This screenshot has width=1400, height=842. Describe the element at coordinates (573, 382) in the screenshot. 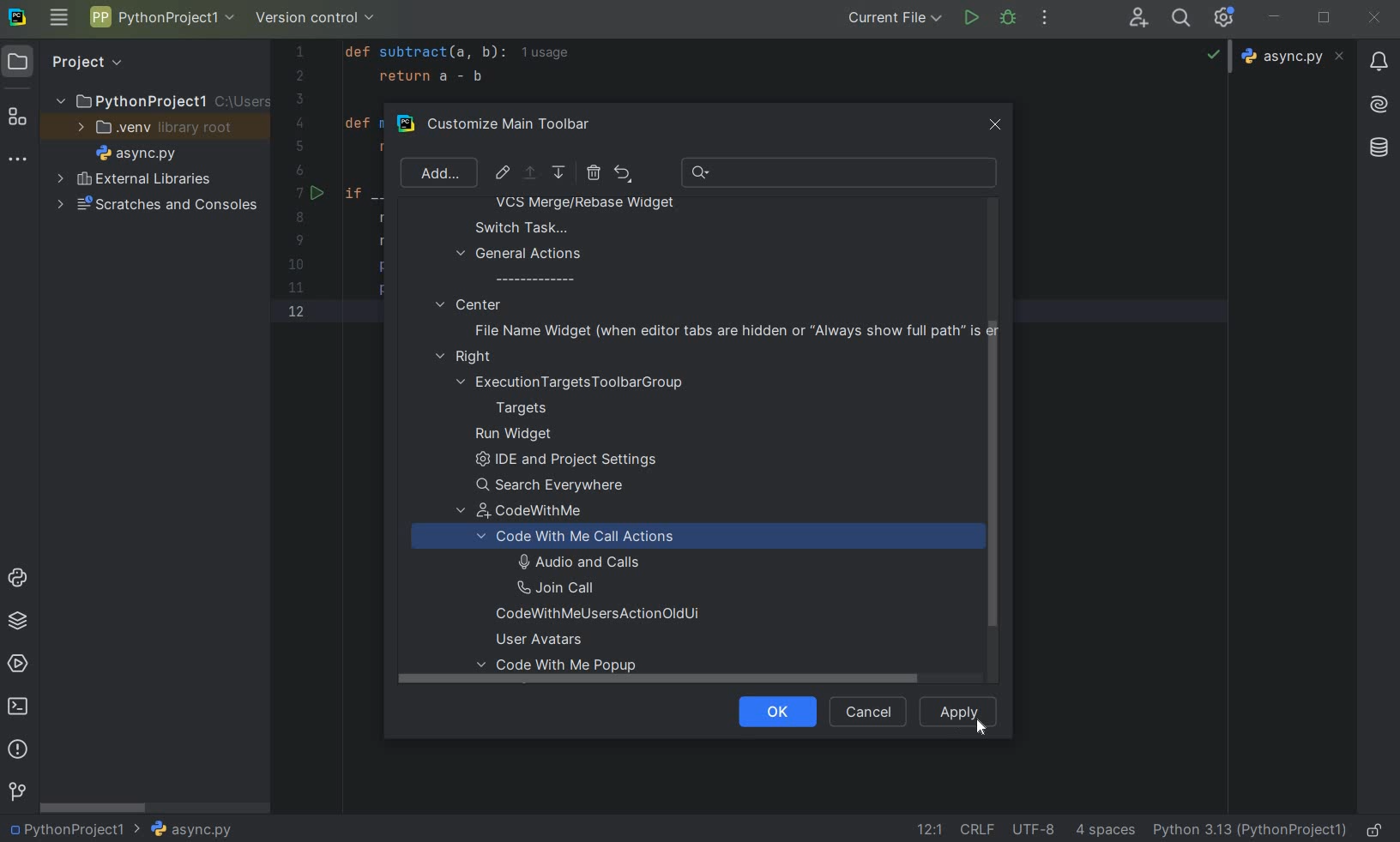

I see `execution Targets Toolbar Group` at that location.